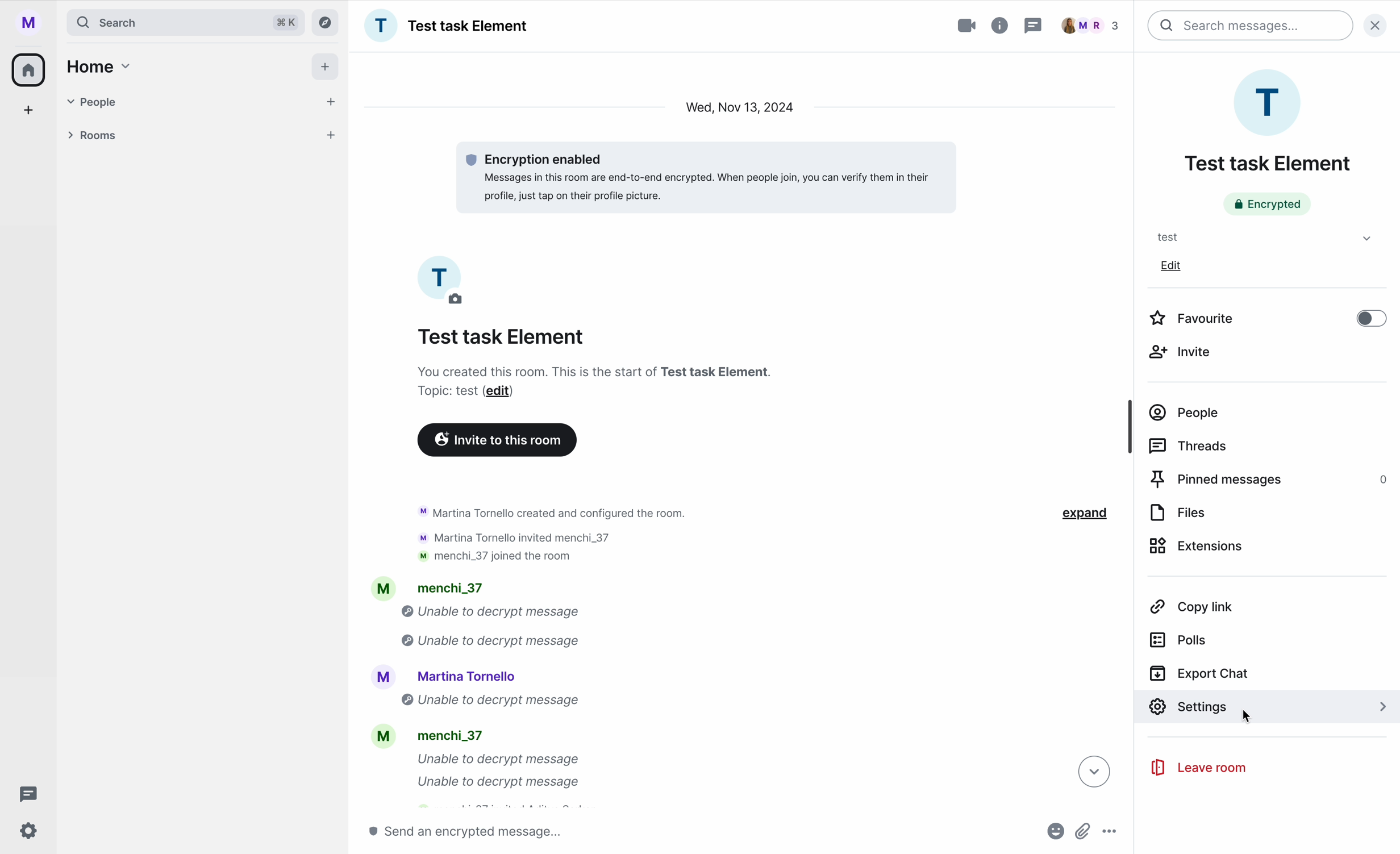 This screenshot has width=1400, height=854. Describe the element at coordinates (29, 832) in the screenshot. I see `settings` at that location.